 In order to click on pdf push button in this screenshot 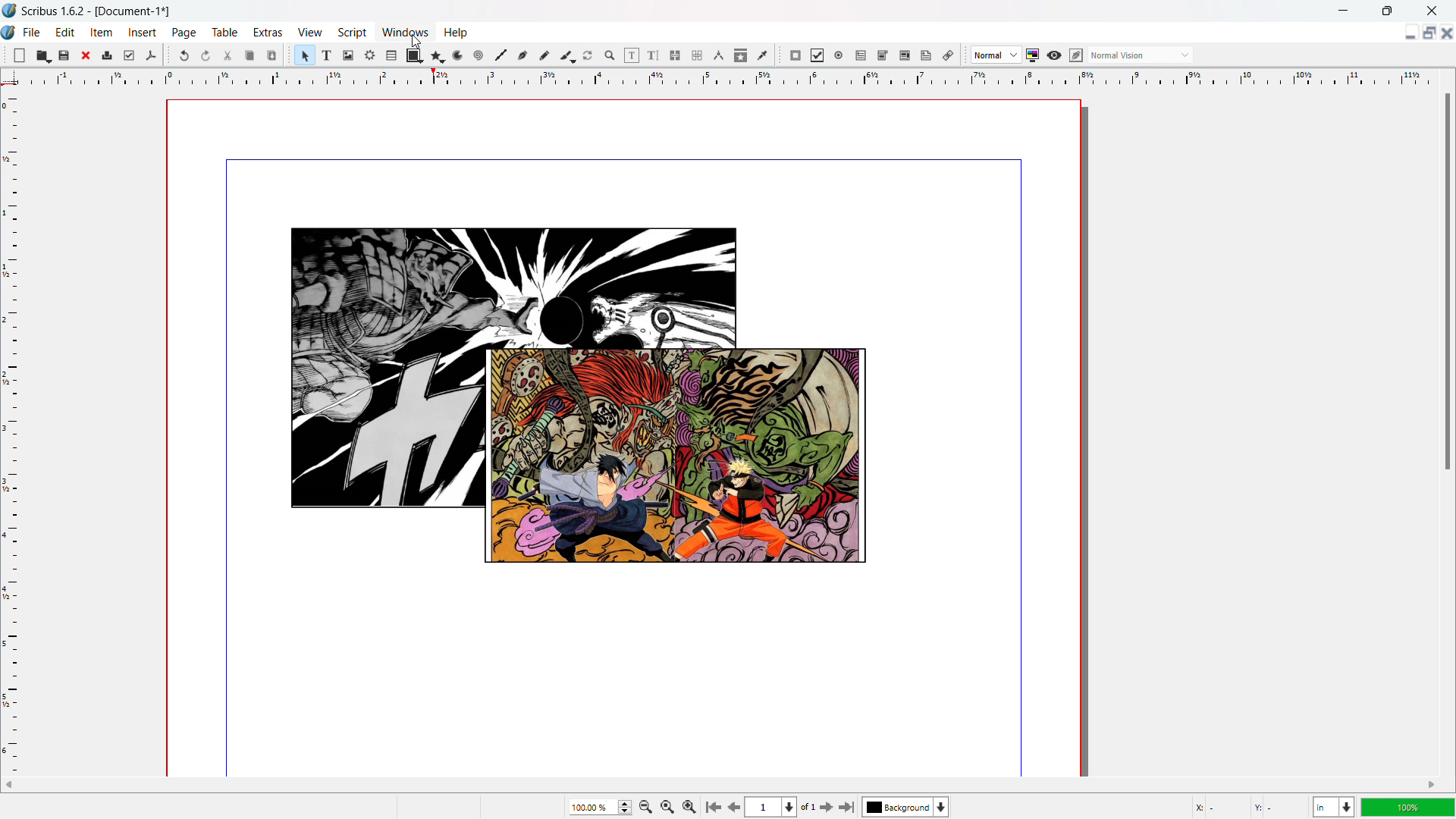, I will do `click(795, 55)`.